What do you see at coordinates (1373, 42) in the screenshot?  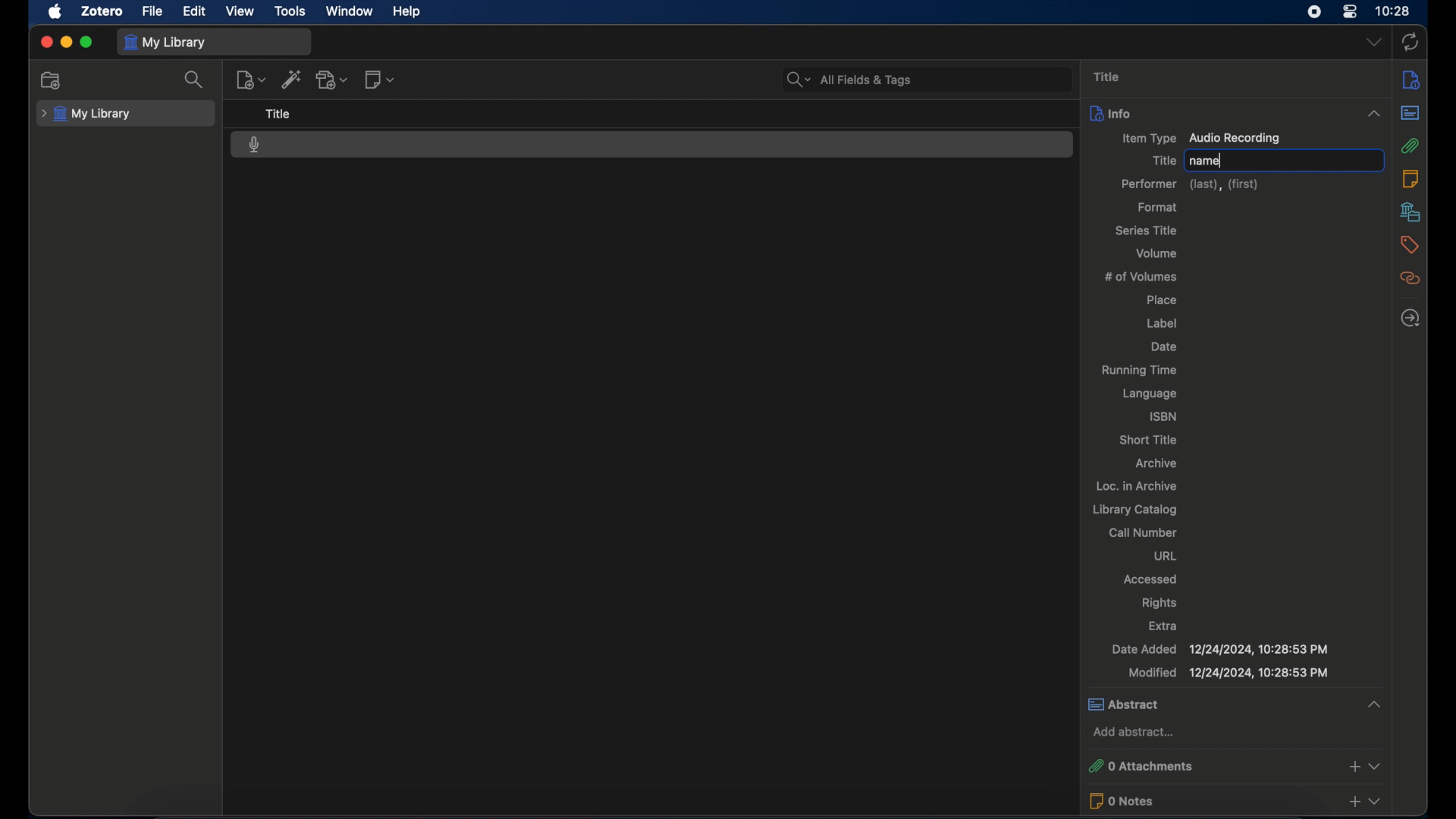 I see `dropdown` at bounding box center [1373, 42].